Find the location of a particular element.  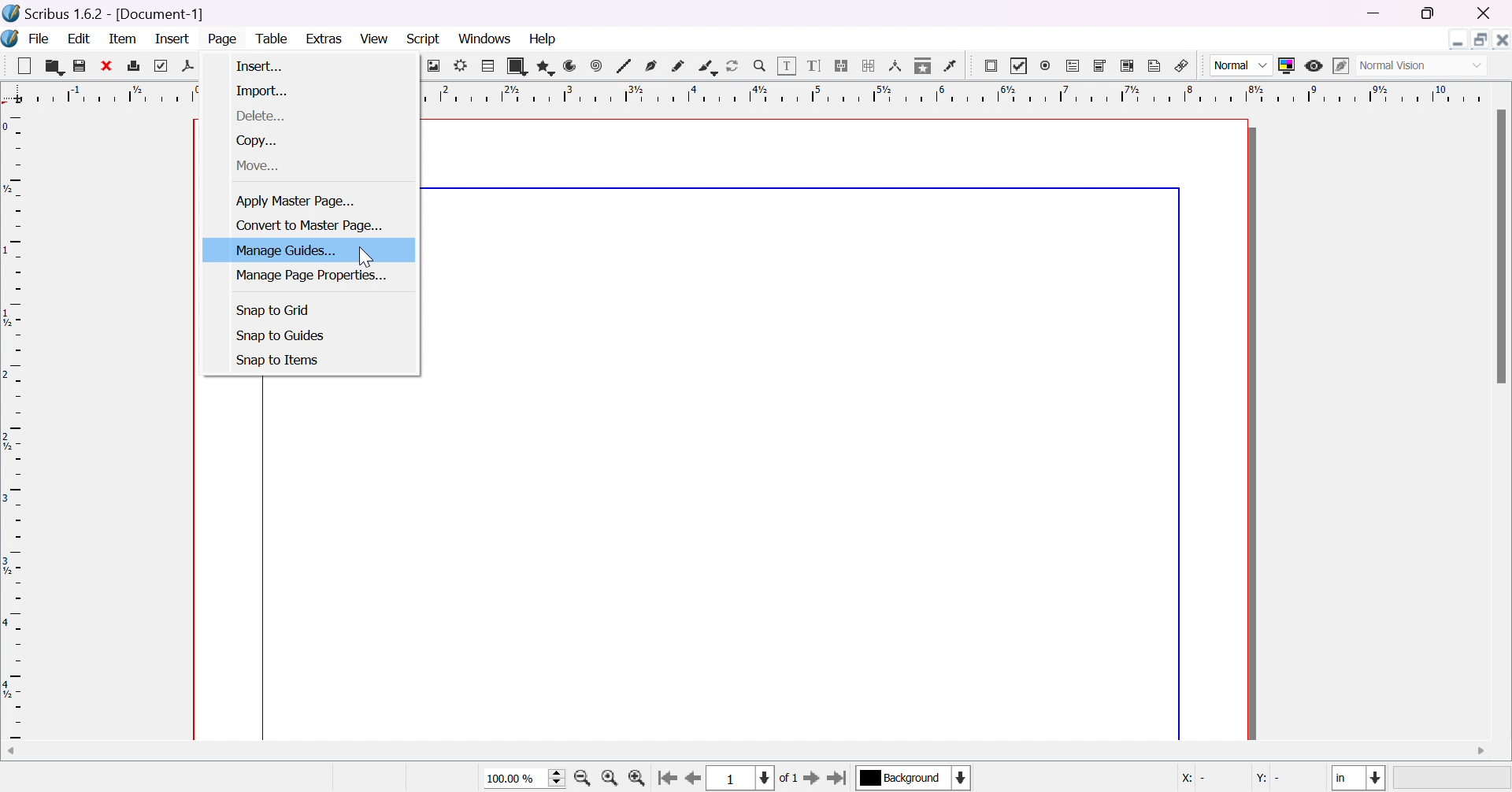

convert master page is located at coordinates (311, 225).